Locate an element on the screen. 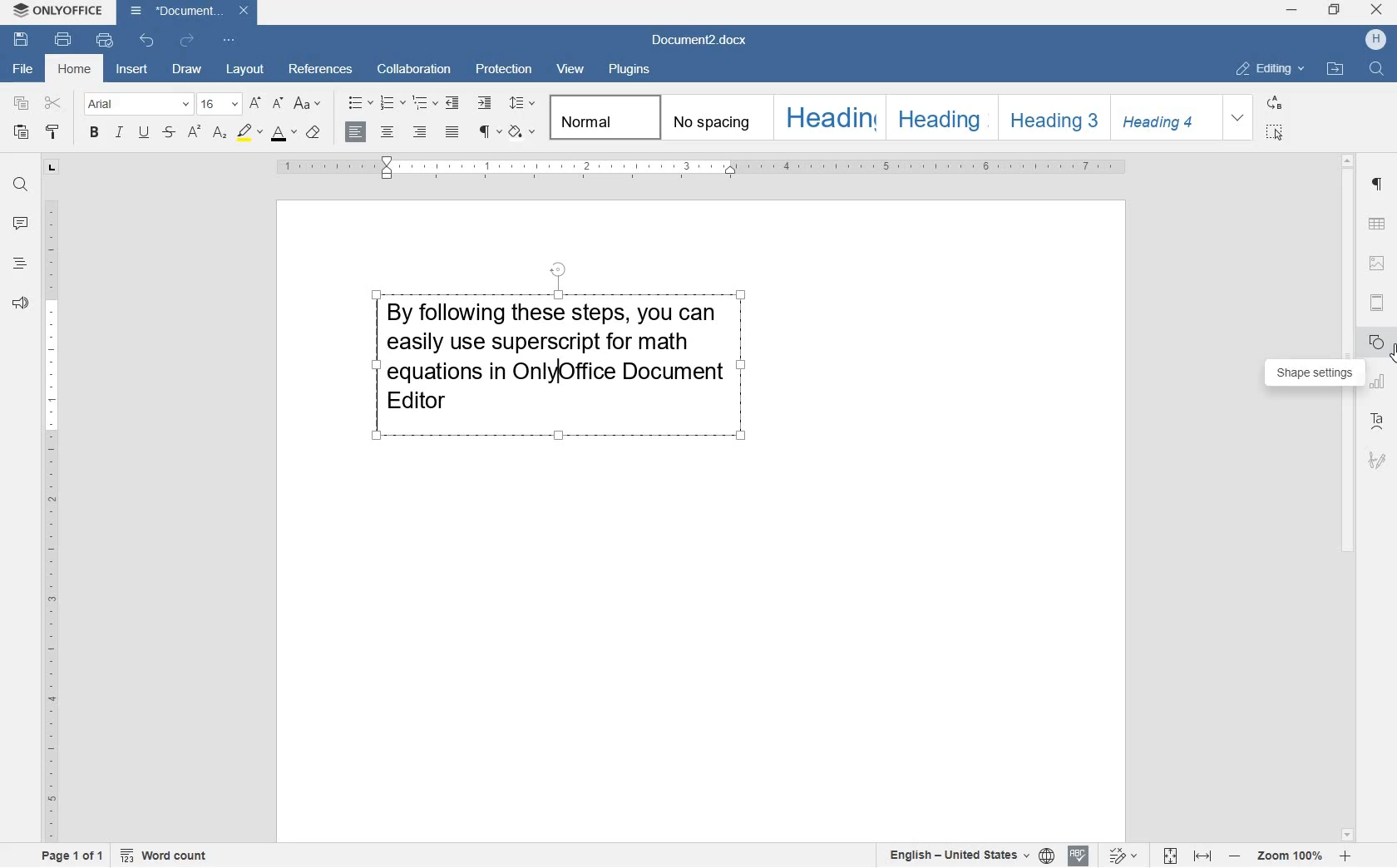 This screenshot has height=868, width=1397. EXPAND FORMATTING STYLE is located at coordinates (1237, 118).